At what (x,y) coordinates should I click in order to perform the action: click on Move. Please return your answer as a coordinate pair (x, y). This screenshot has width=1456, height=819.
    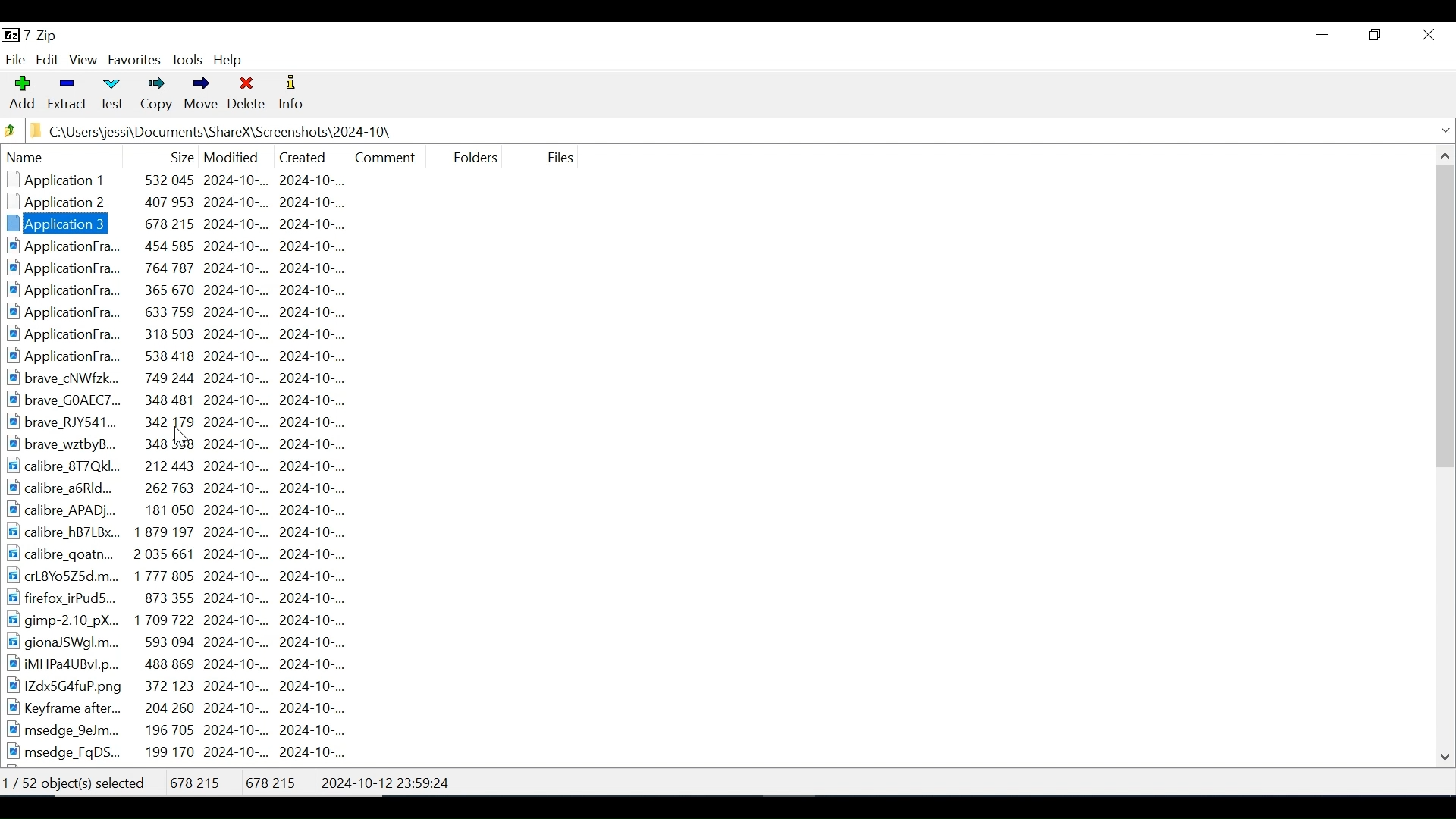
    Looking at the image, I should click on (199, 96).